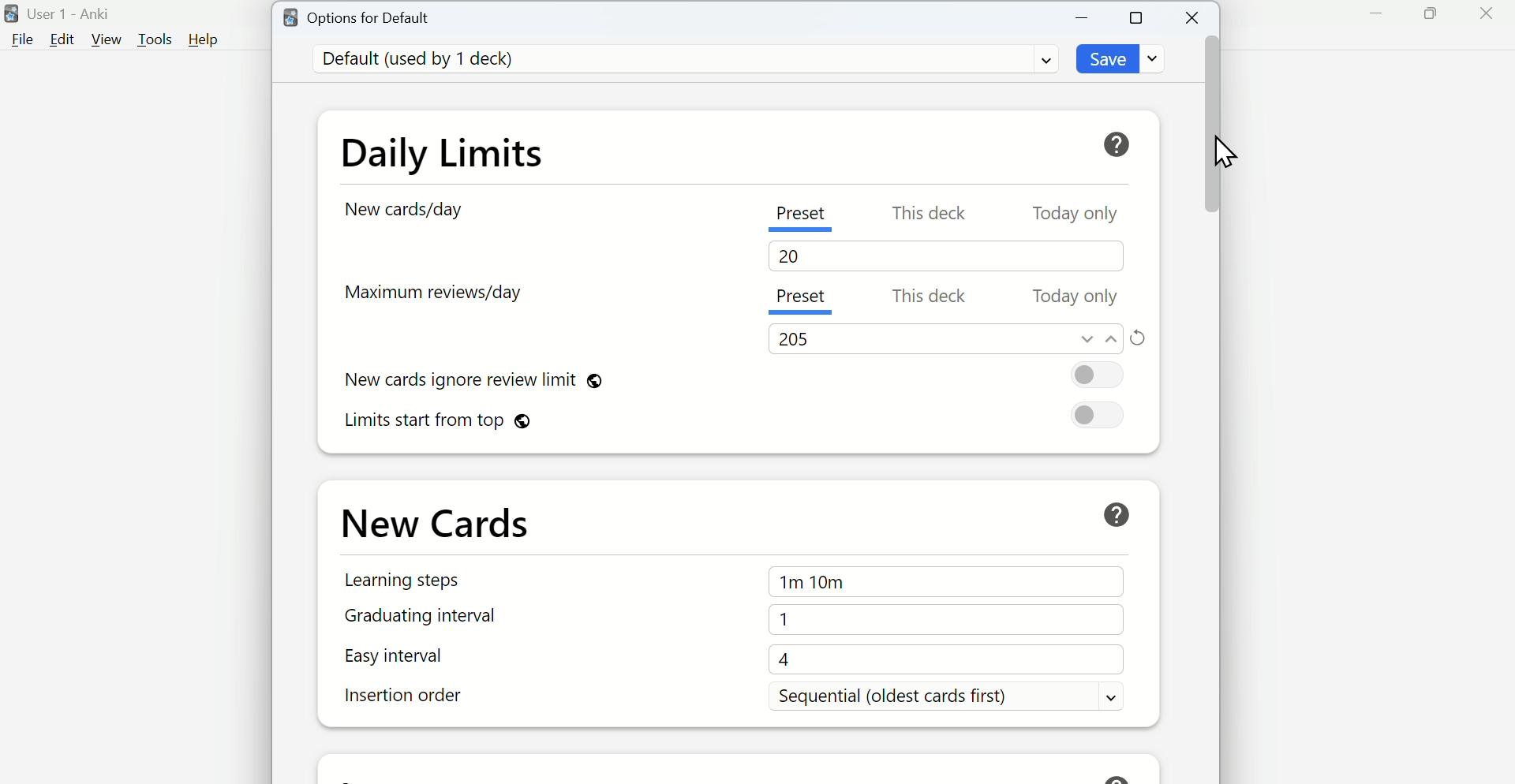 This screenshot has height=784, width=1515. I want to click on Today Only, so click(1074, 217).